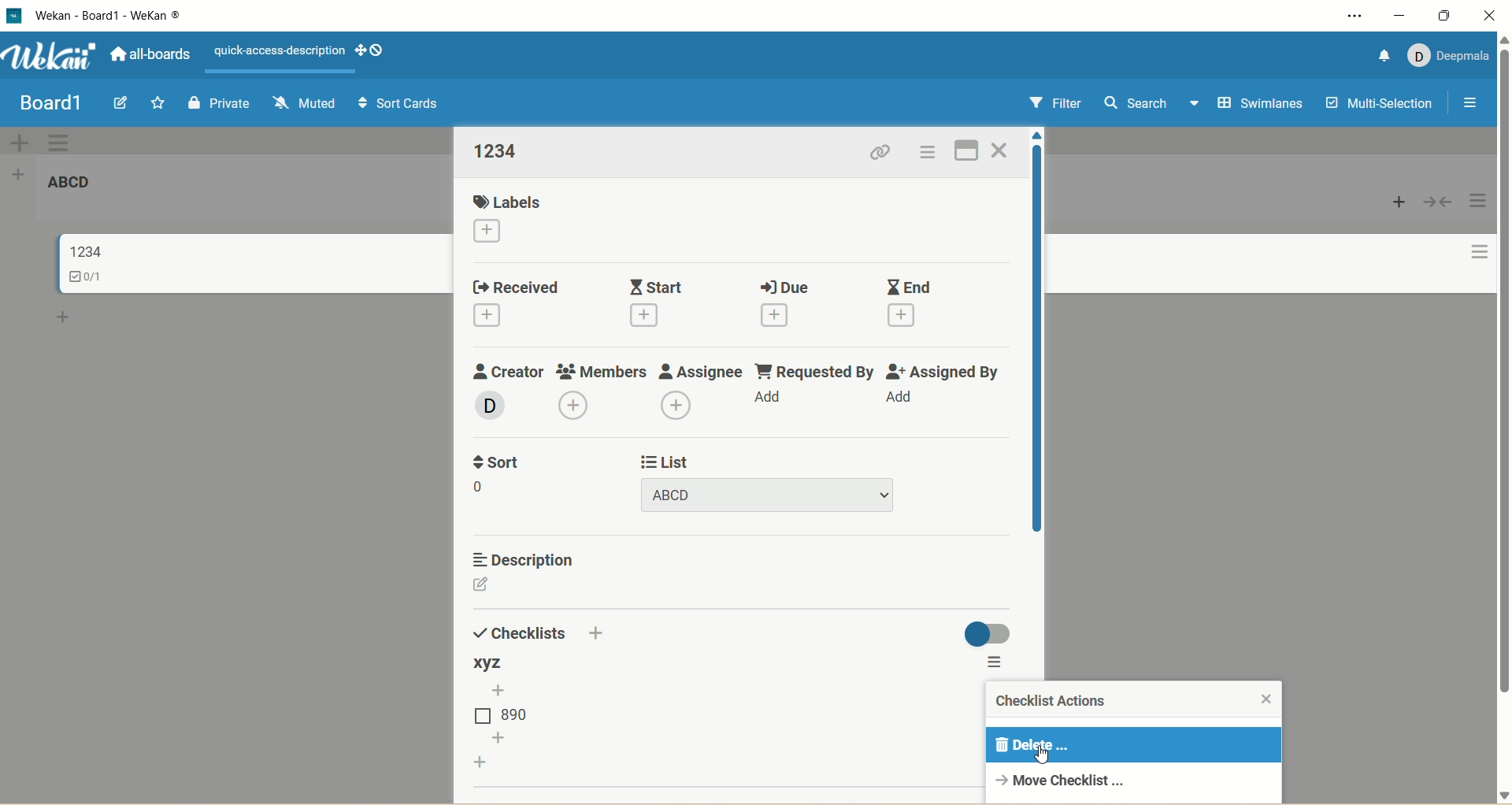 The height and width of the screenshot is (805, 1512). What do you see at coordinates (1503, 375) in the screenshot?
I see `vertical scroll bar` at bounding box center [1503, 375].